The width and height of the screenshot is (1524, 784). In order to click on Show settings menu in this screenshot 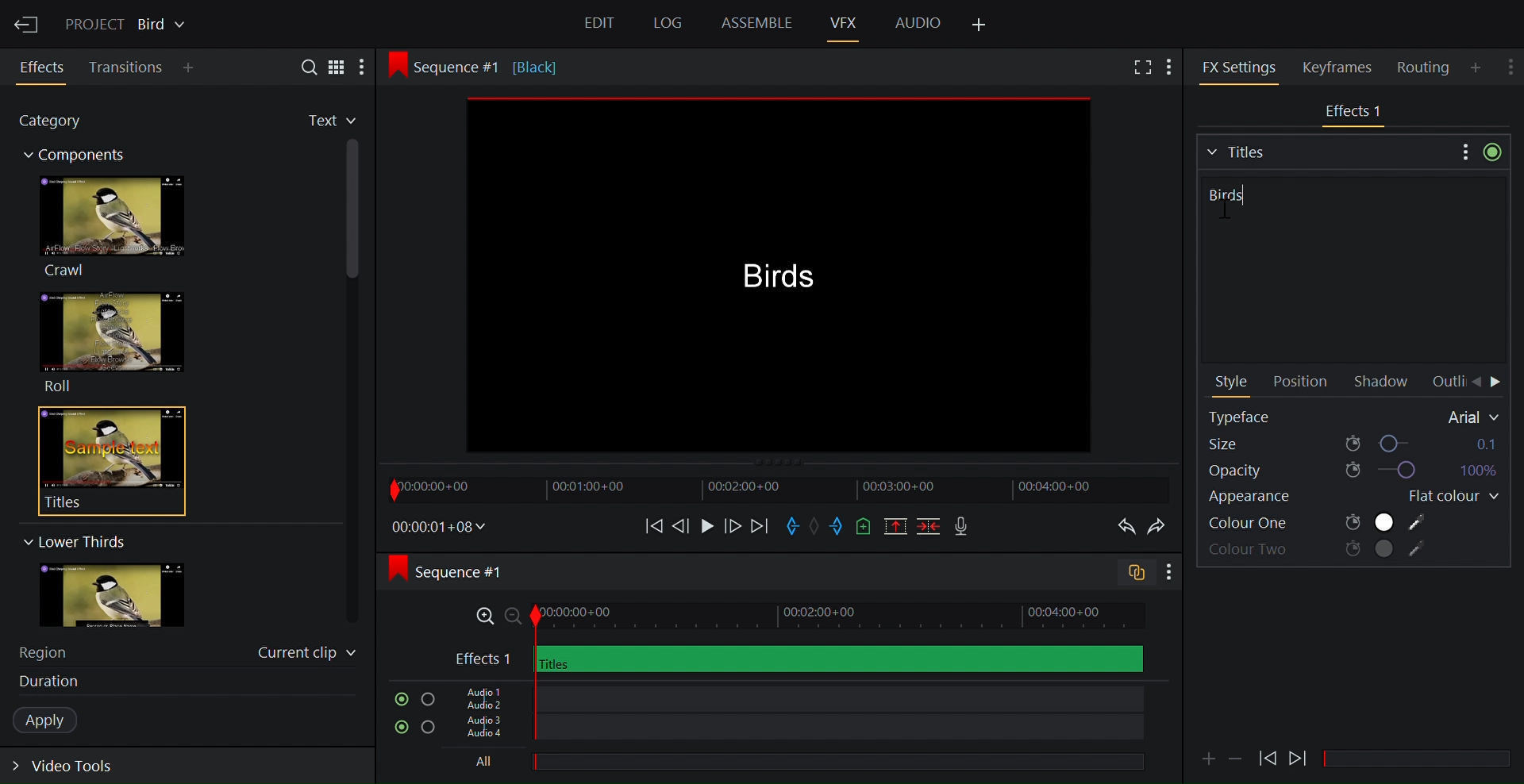, I will do `click(1512, 63)`.